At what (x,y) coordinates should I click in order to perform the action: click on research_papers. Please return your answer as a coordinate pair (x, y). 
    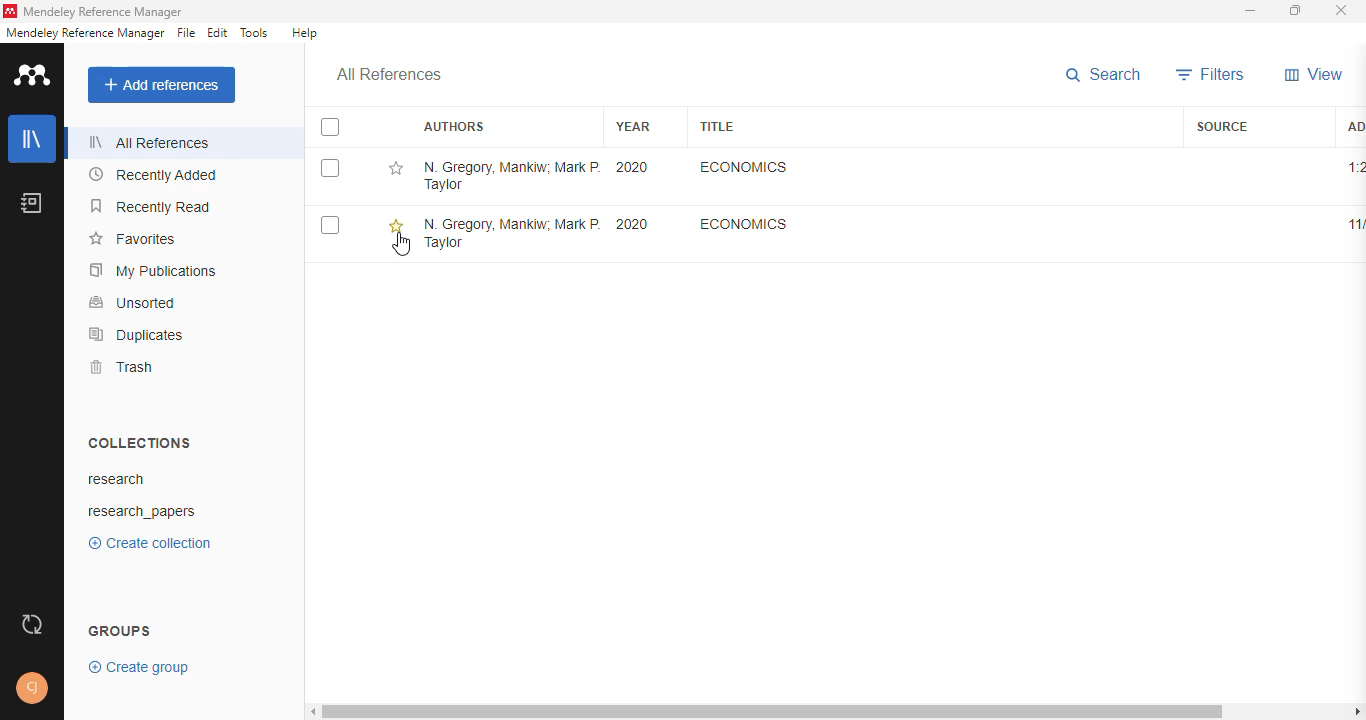
    Looking at the image, I should click on (143, 513).